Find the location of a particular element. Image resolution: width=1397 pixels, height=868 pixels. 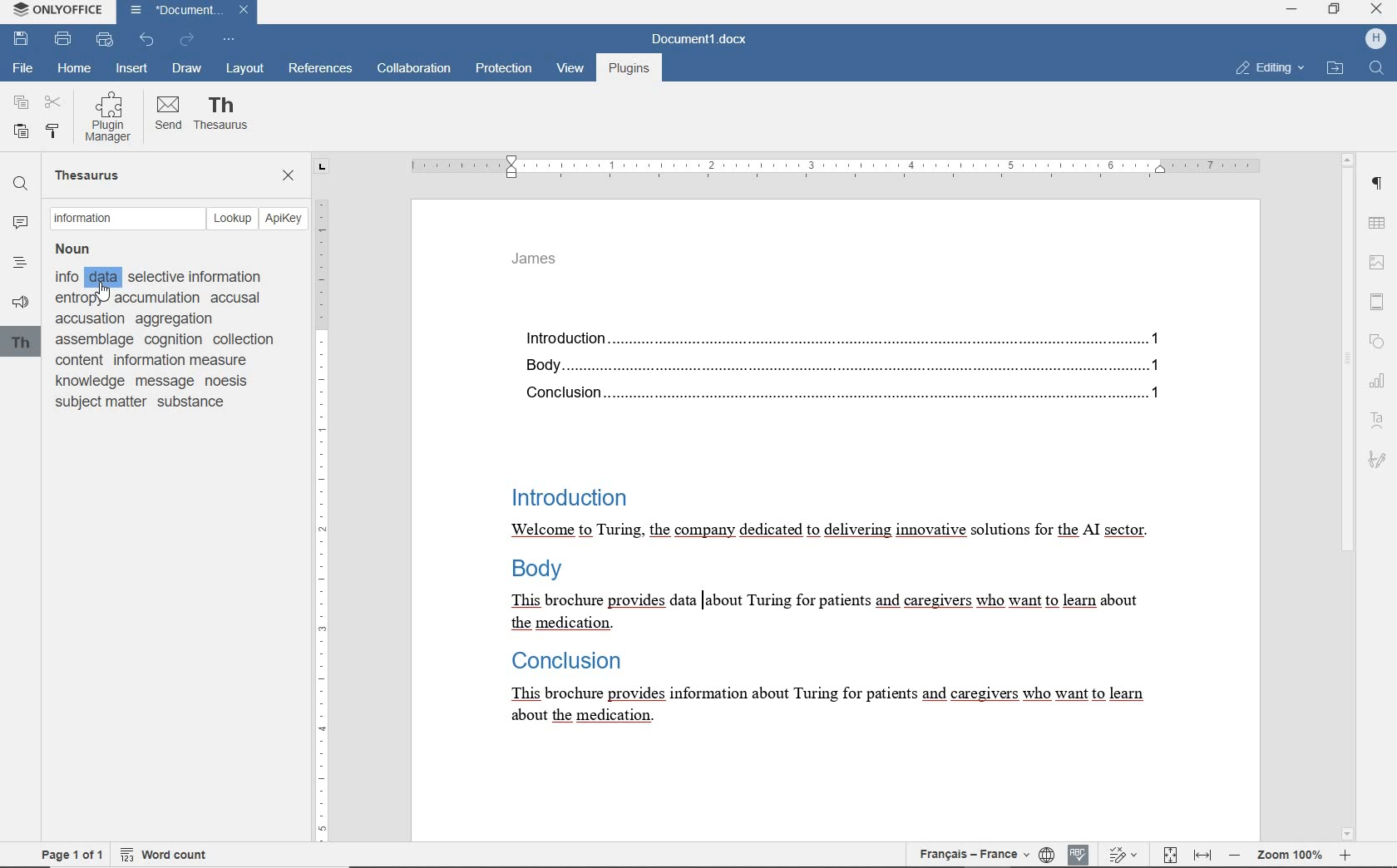

REFERENCES is located at coordinates (322, 70).